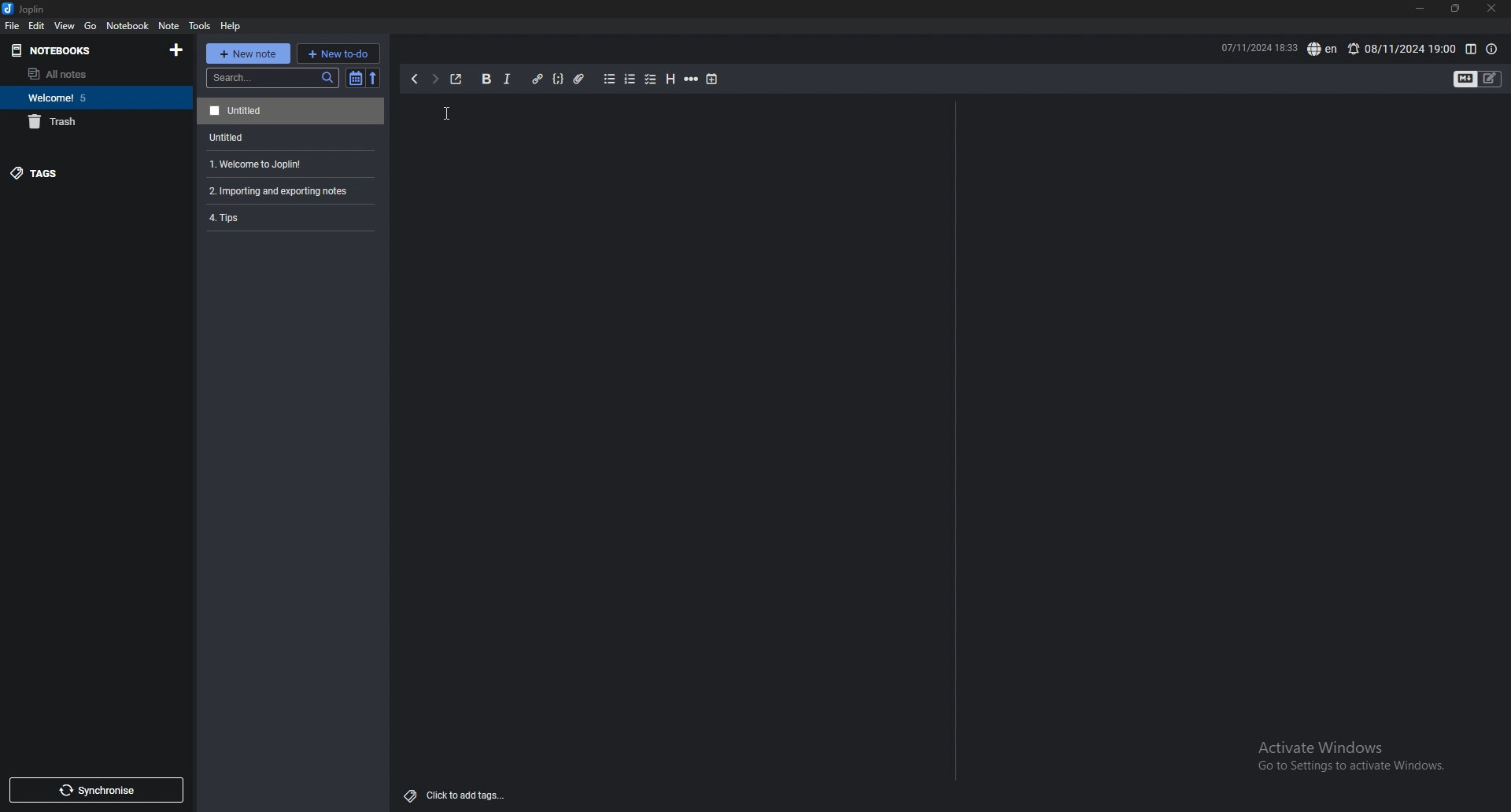 Image resolution: width=1511 pixels, height=812 pixels. What do you see at coordinates (177, 49) in the screenshot?
I see `add notebooks` at bounding box center [177, 49].